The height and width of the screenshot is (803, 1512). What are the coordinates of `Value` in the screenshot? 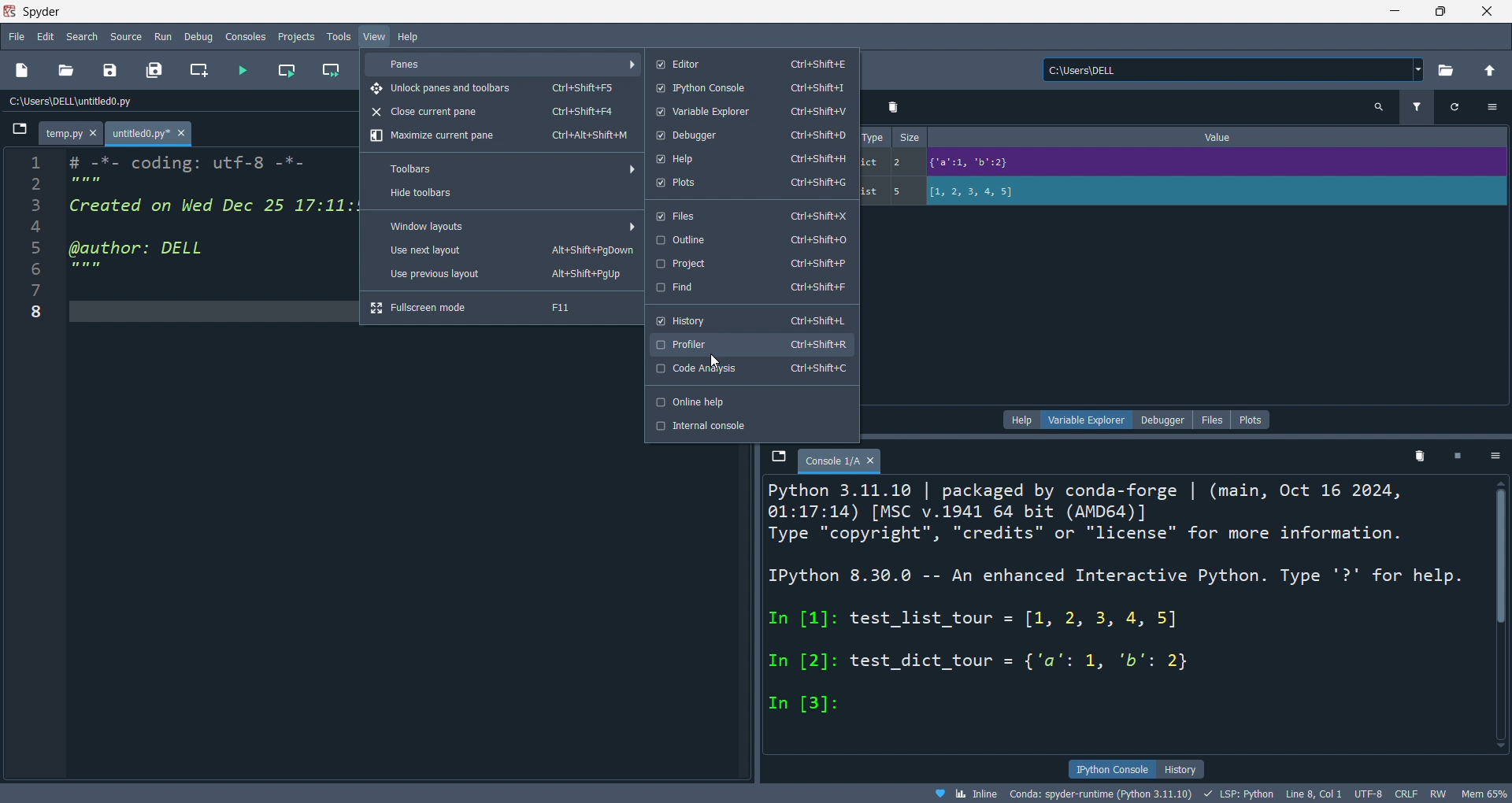 It's located at (1220, 166).